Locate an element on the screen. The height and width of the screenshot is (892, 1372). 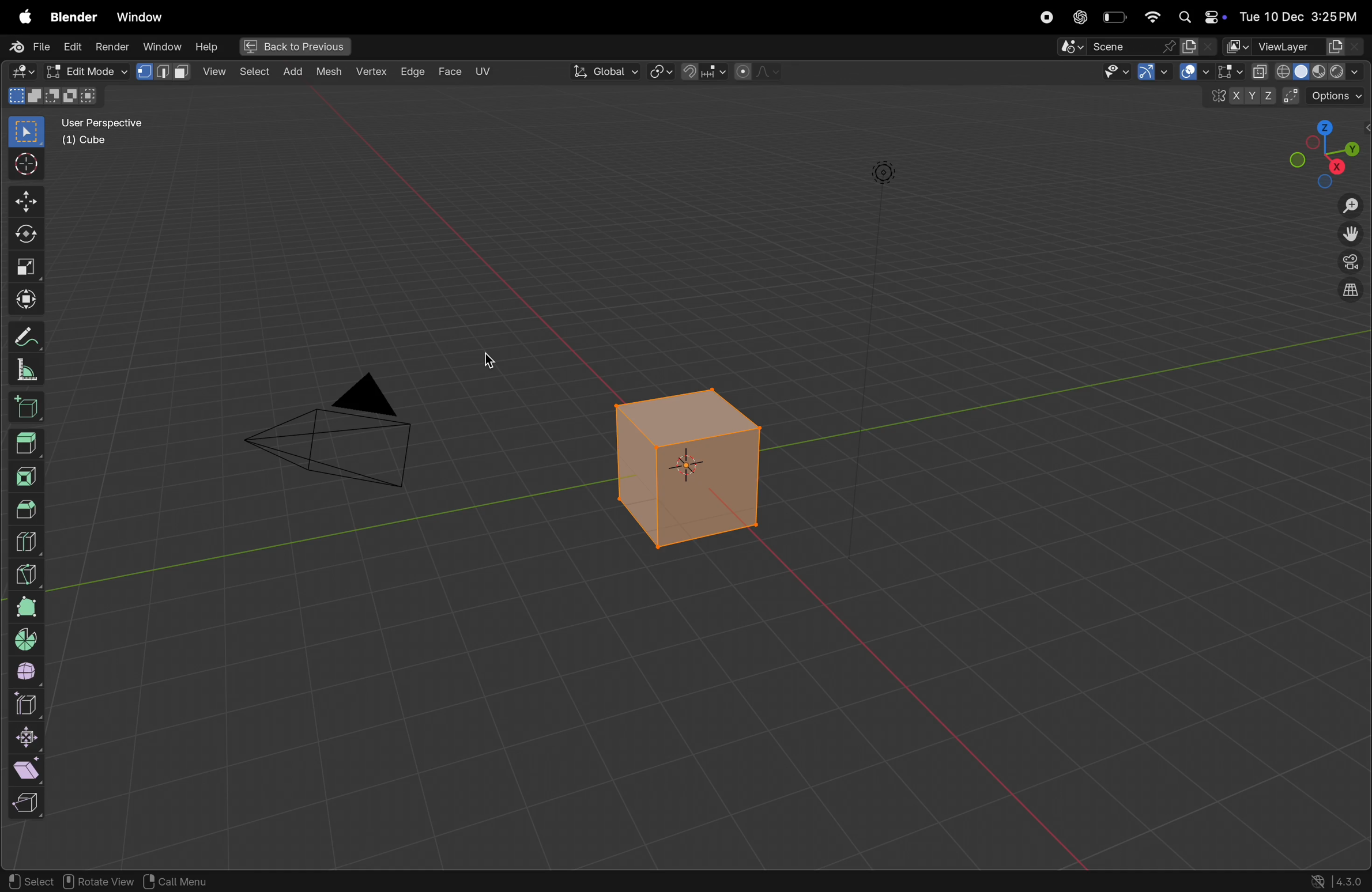
object mode is located at coordinates (84, 70).